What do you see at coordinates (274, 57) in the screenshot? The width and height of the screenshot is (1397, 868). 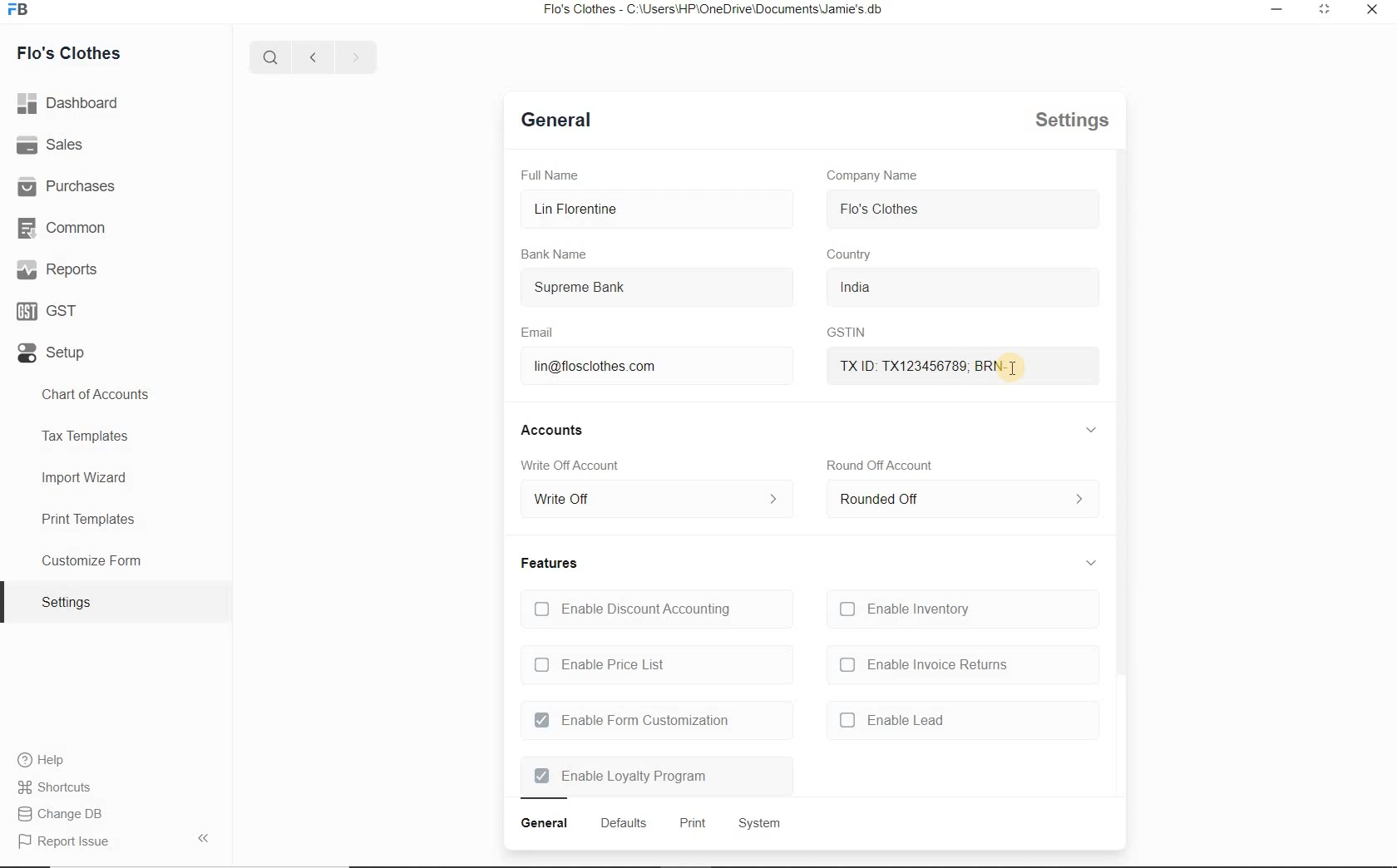 I see `search` at bounding box center [274, 57].